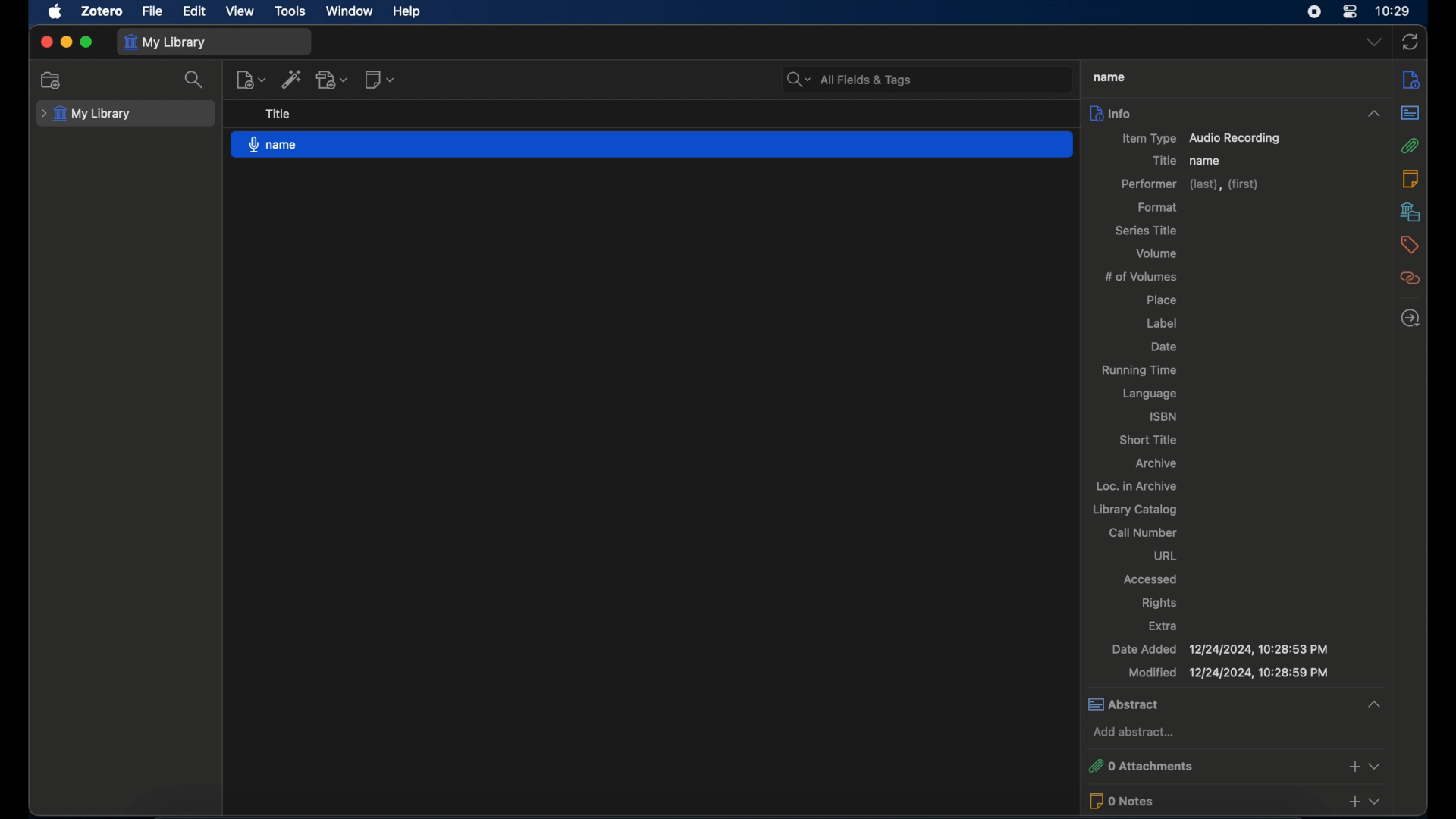  What do you see at coordinates (1164, 626) in the screenshot?
I see `extra` at bounding box center [1164, 626].